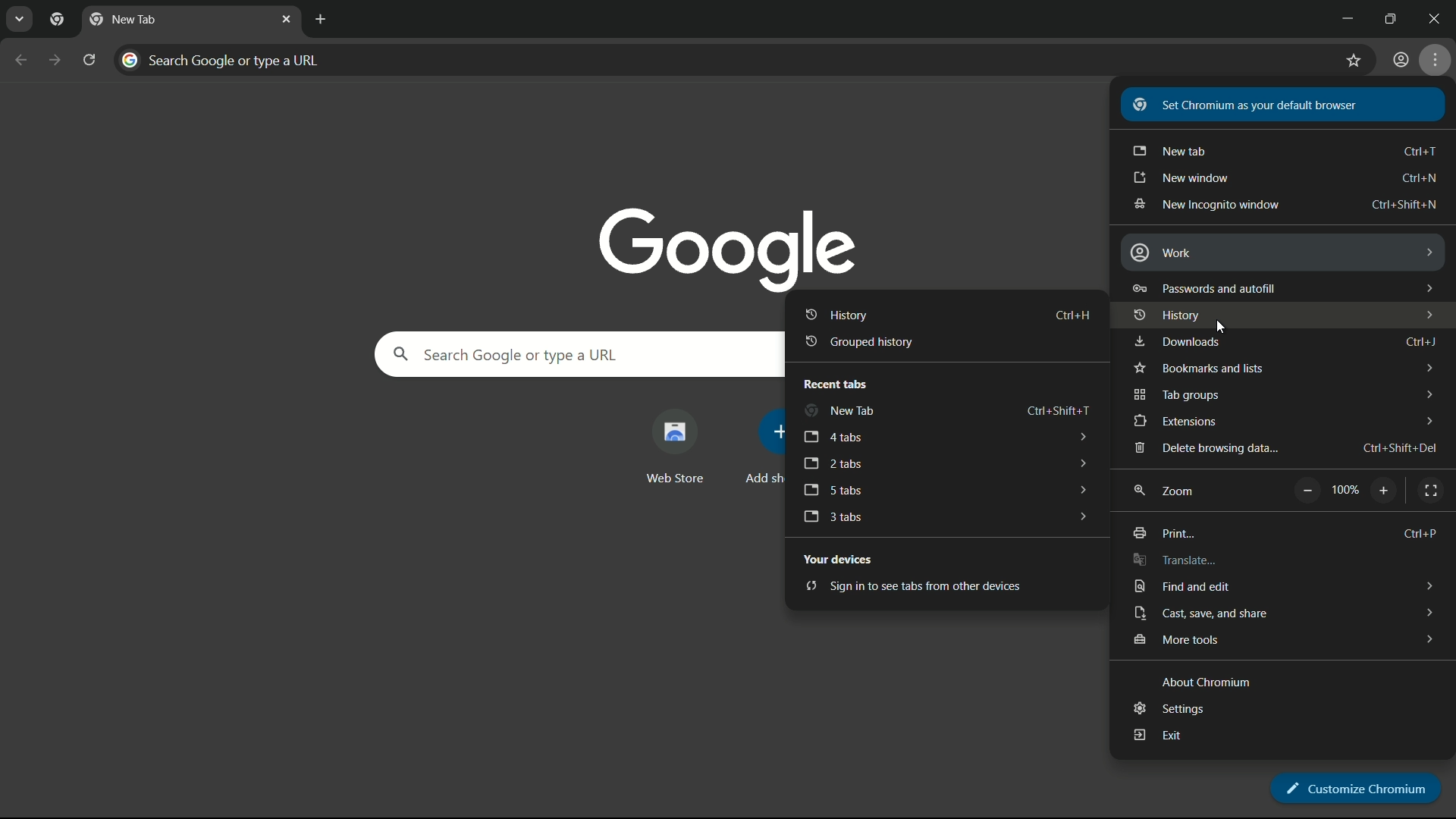  I want to click on web store shortcut, so click(673, 448).